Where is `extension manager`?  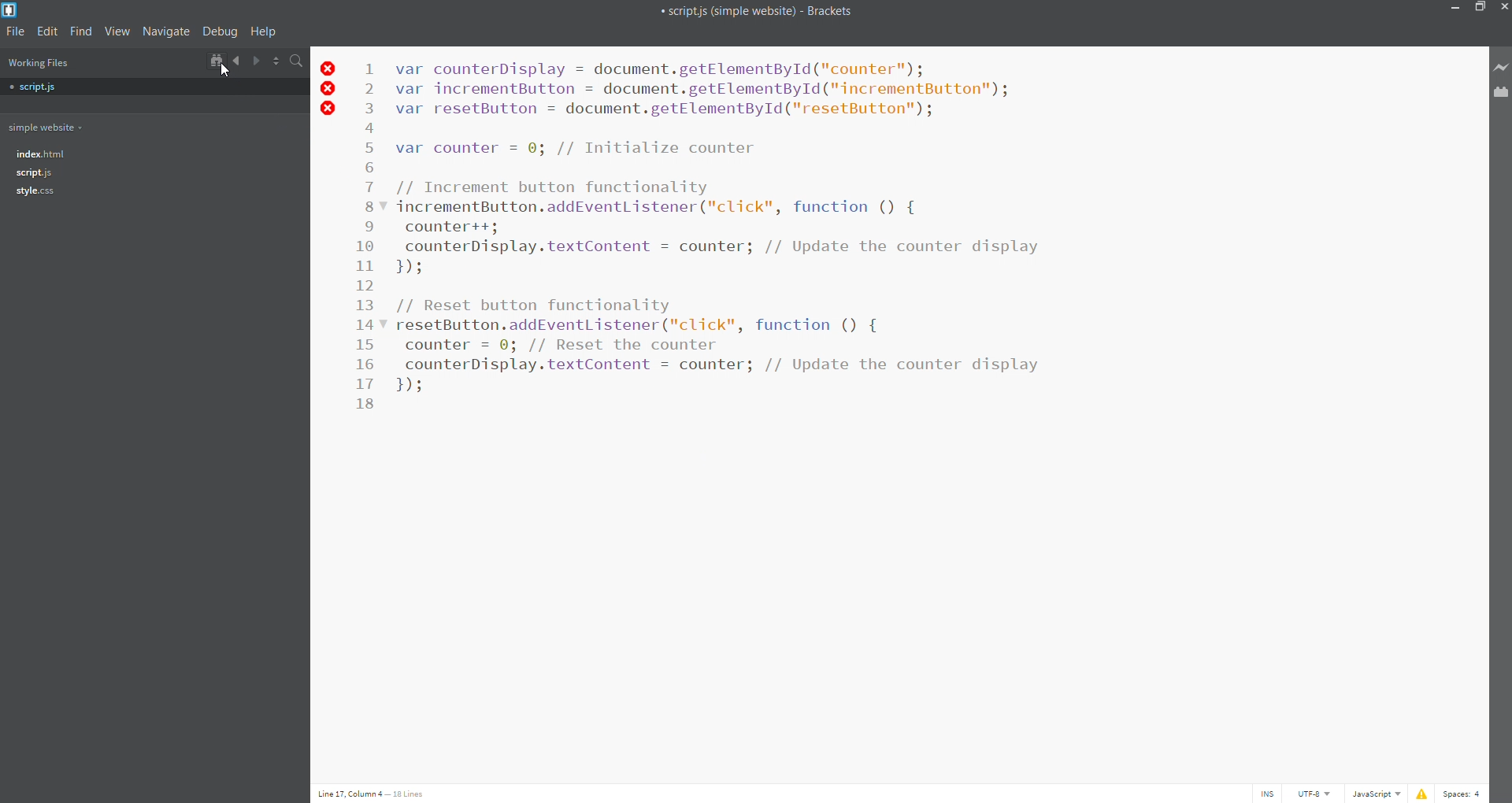 extension manager is located at coordinates (1499, 93).